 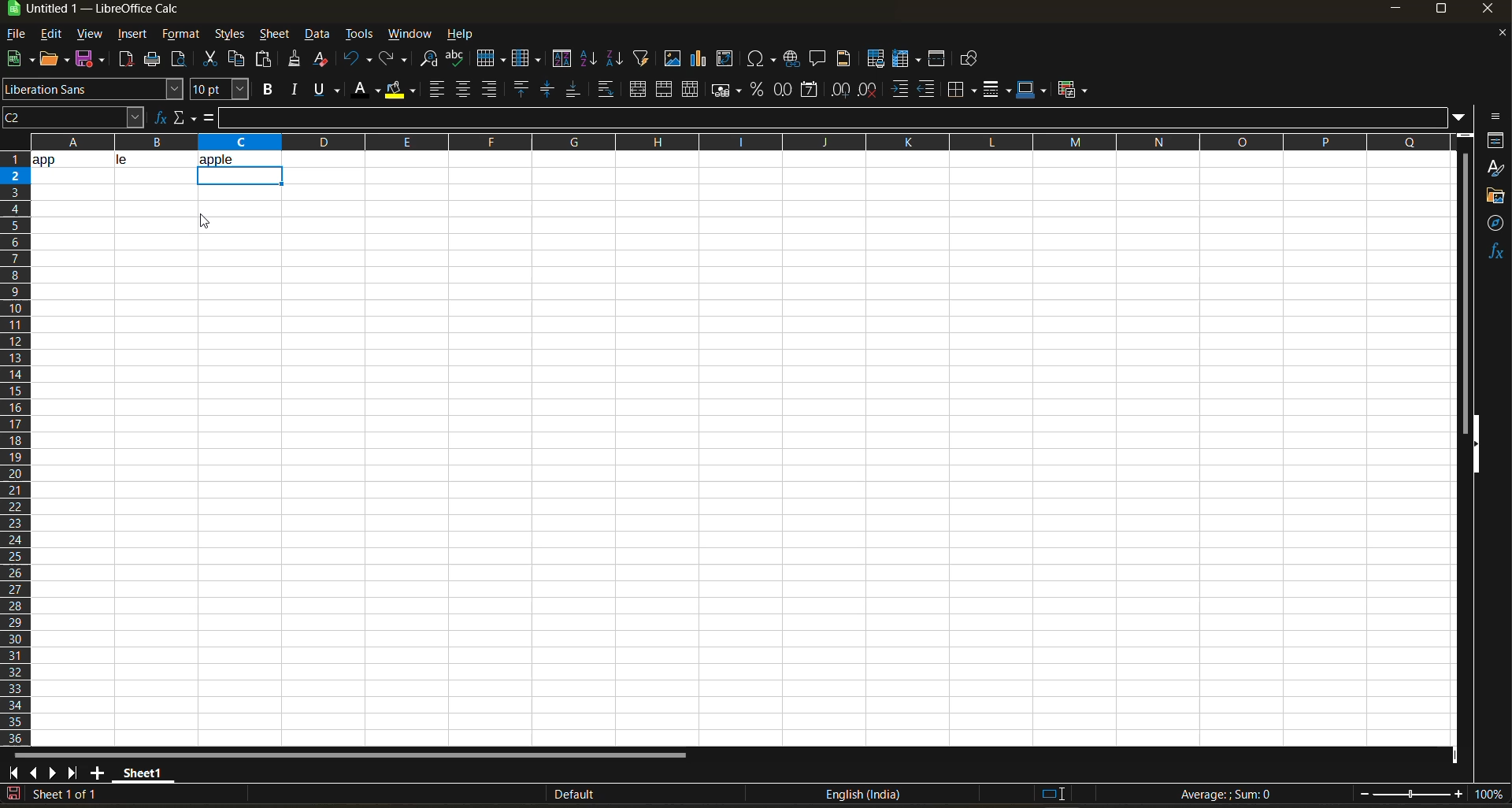 What do you see at coordinates (463, 89) in the screenshot?
I see `align center` at bounding box center [463, 89].